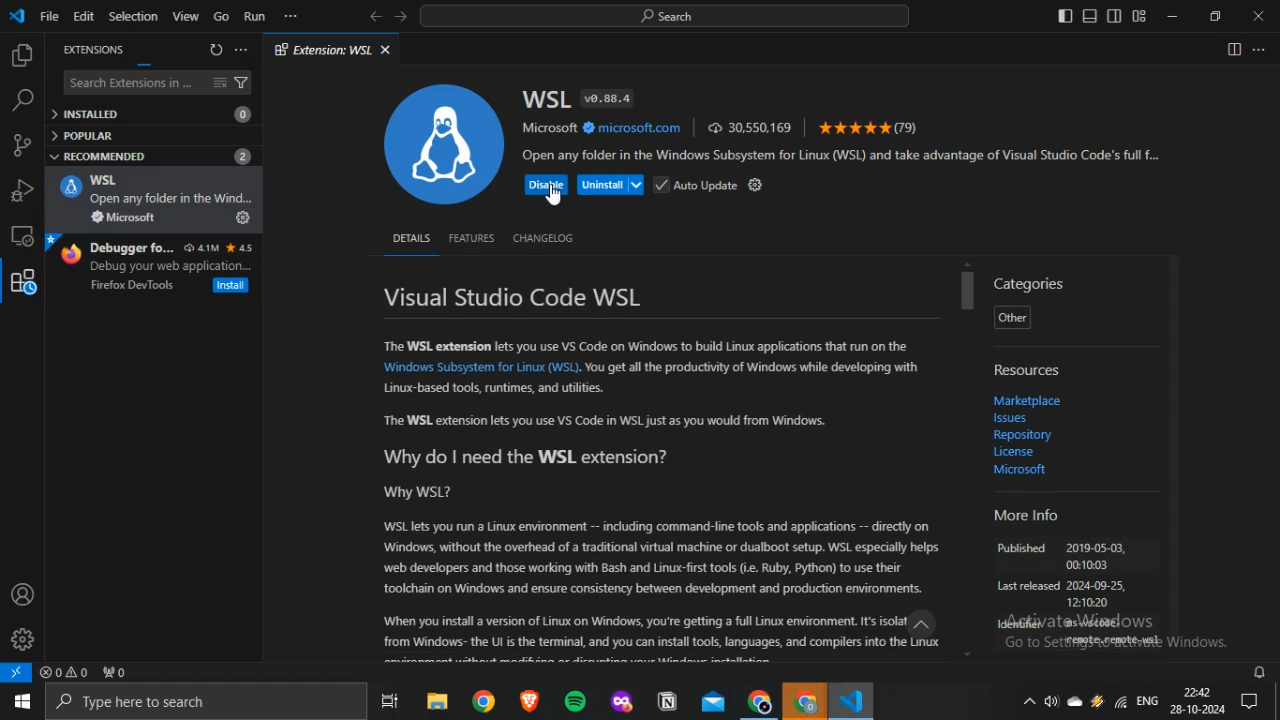 This screenshot has width=1280, height=720. I want to click on clear, so click(219, 82).